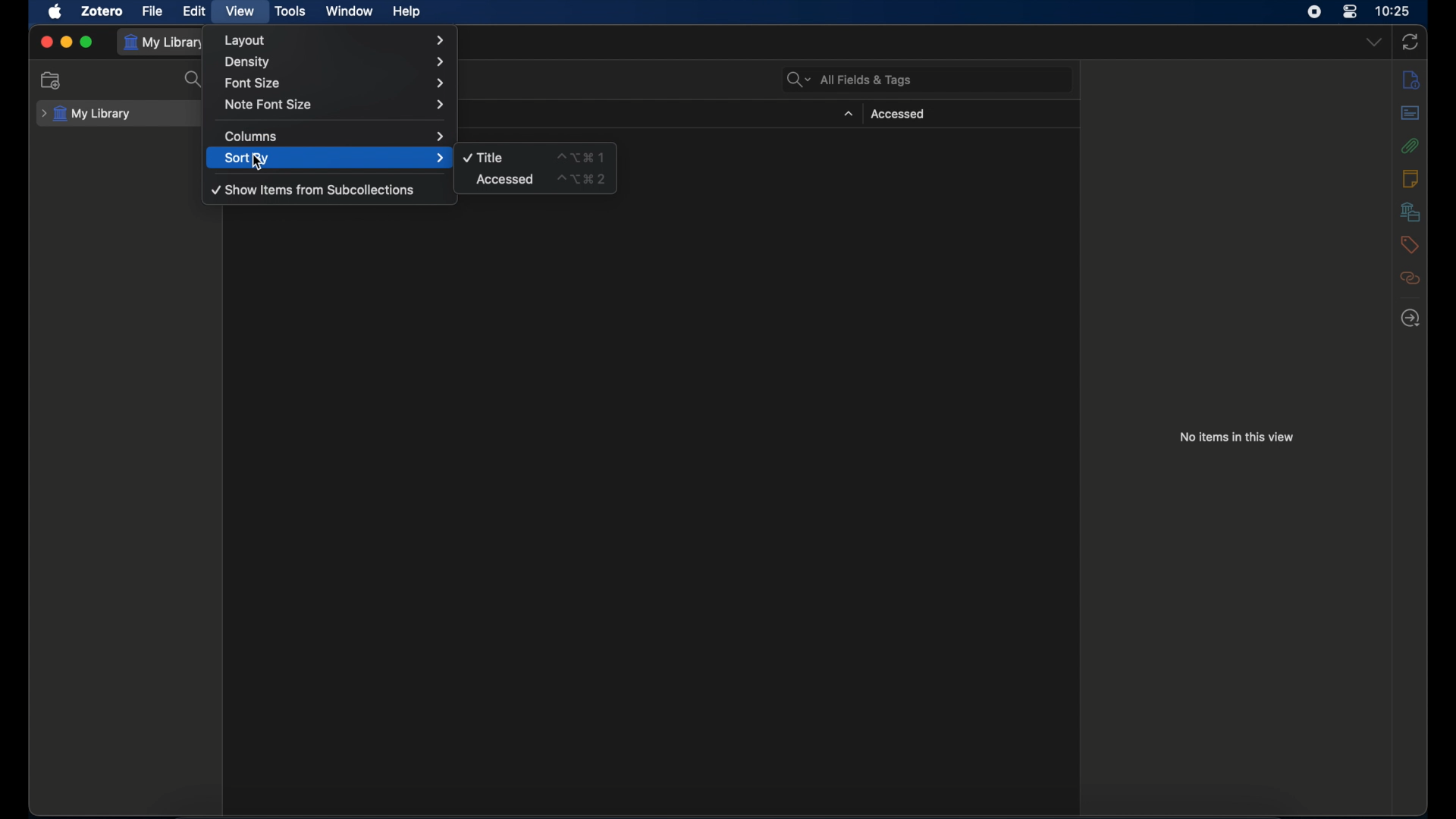 The width and height of the screenshot is (1456, 819). I want to click on close, so click(45, 42).